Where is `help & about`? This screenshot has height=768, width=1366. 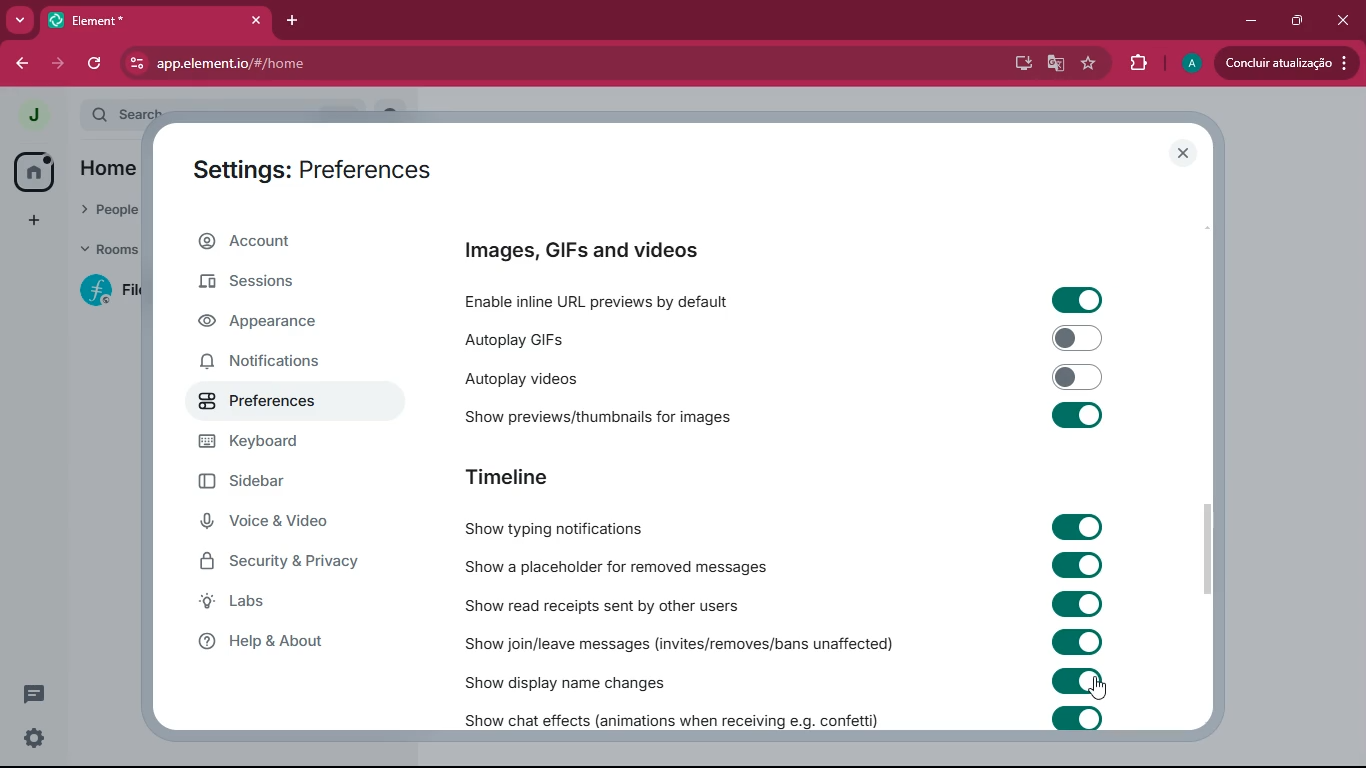 help & about is located at coordinates (273, 643).